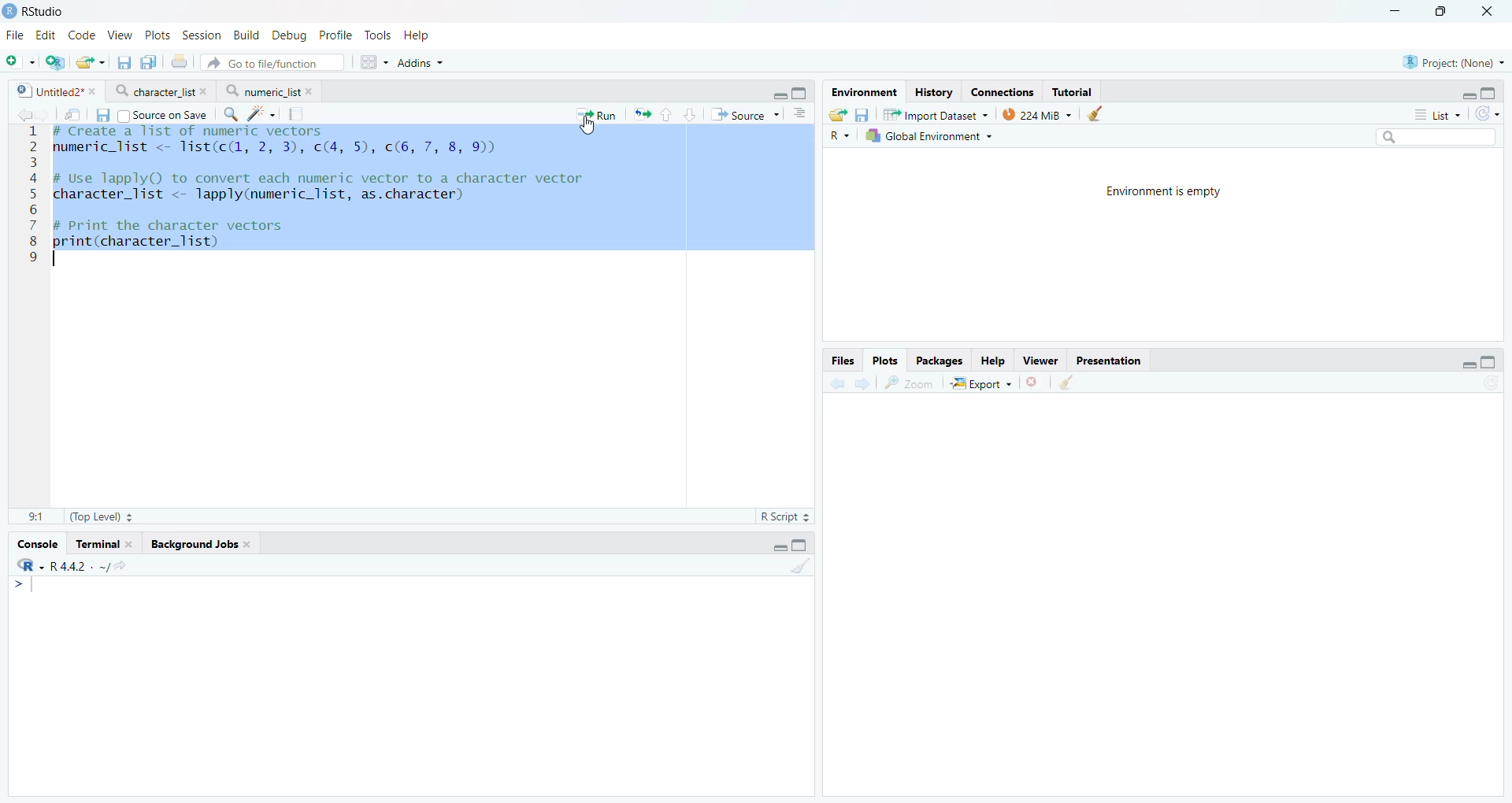 The image size is (1512, 803). I want to click on Clear, so click(802, 567).